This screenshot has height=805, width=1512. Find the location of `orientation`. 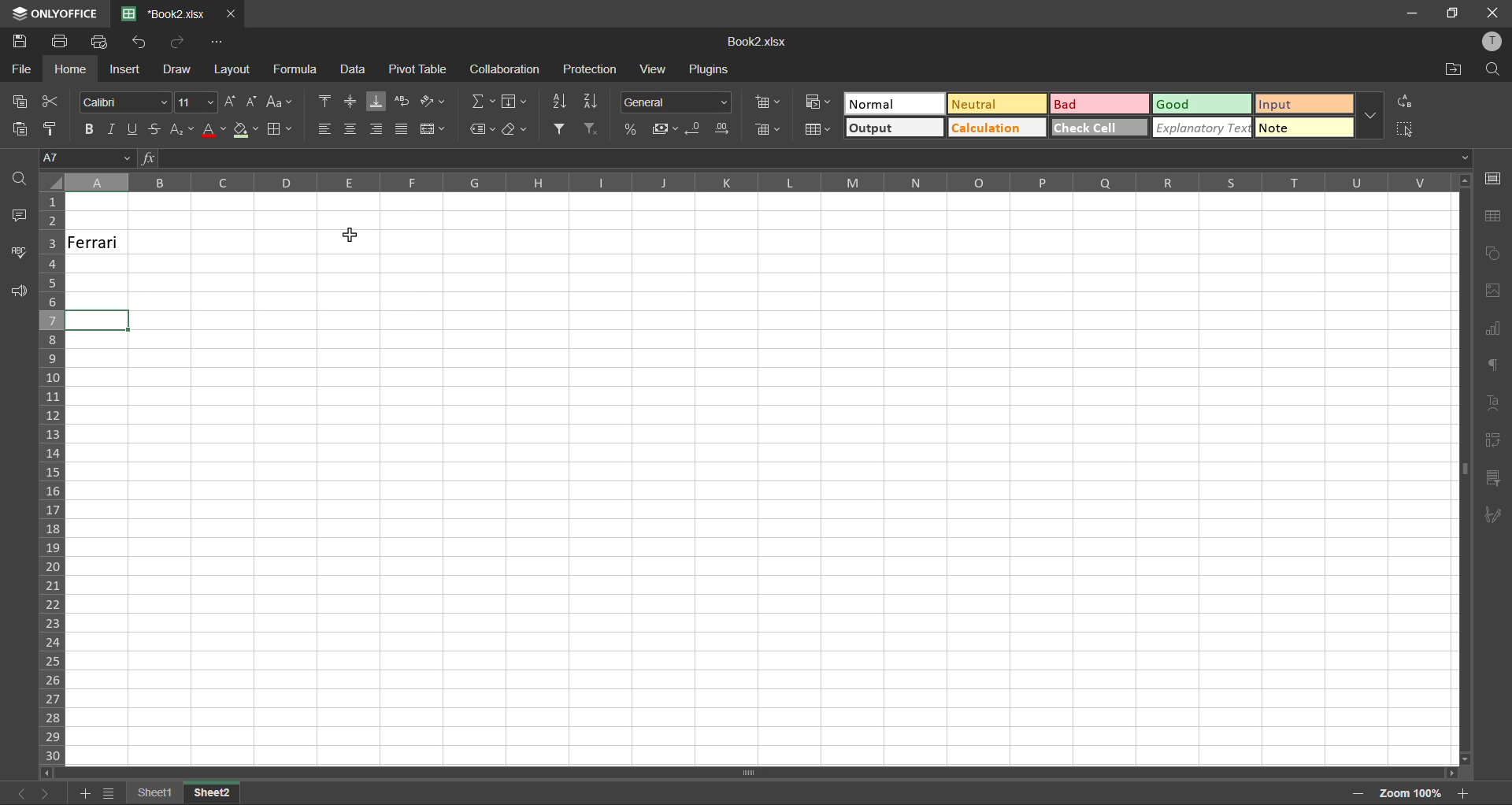

orientation is located at coordinates (434, 99).